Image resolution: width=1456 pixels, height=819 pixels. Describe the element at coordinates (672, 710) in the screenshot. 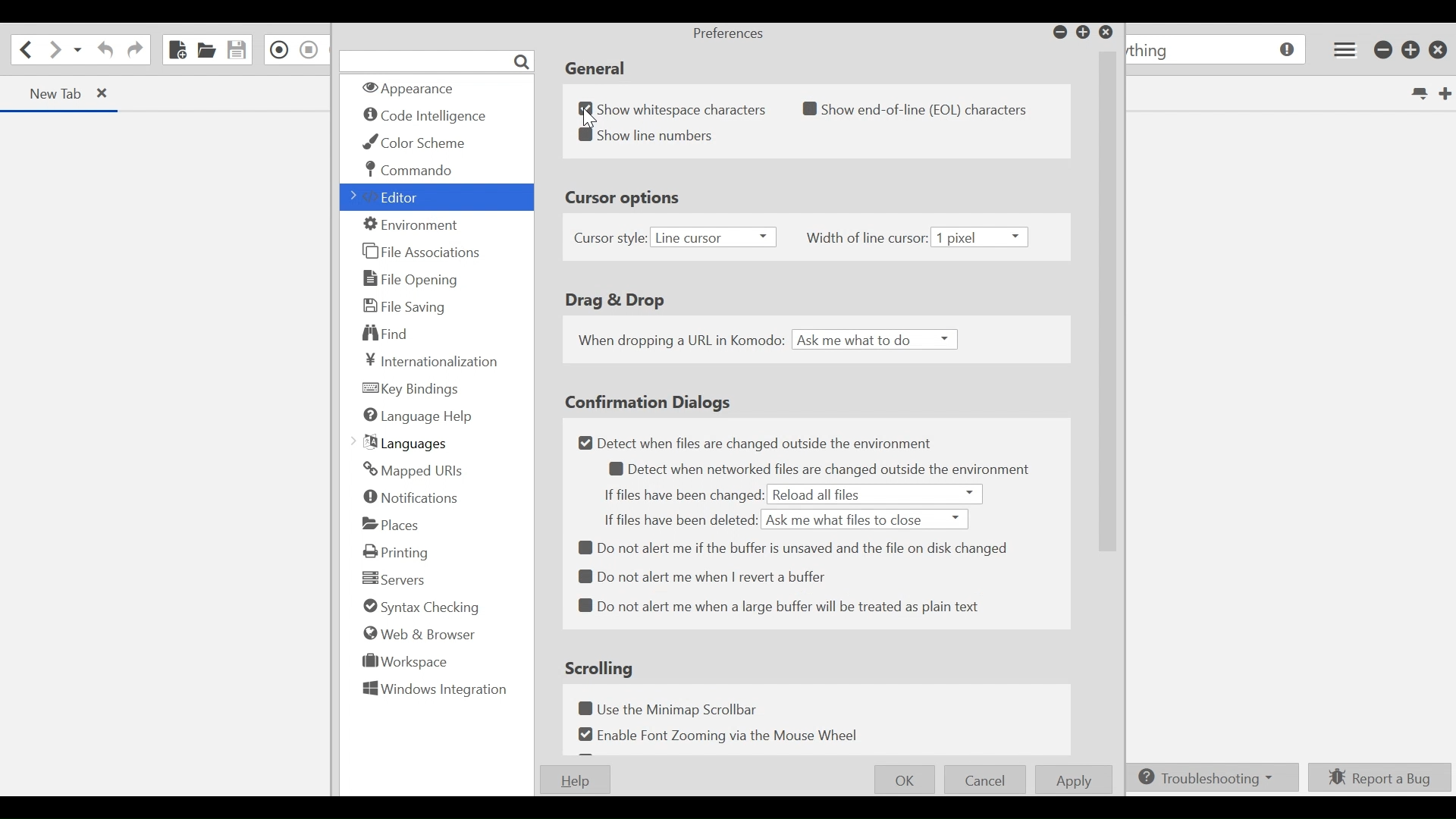

I see `Use the Minimap Scrollbar` at that location.